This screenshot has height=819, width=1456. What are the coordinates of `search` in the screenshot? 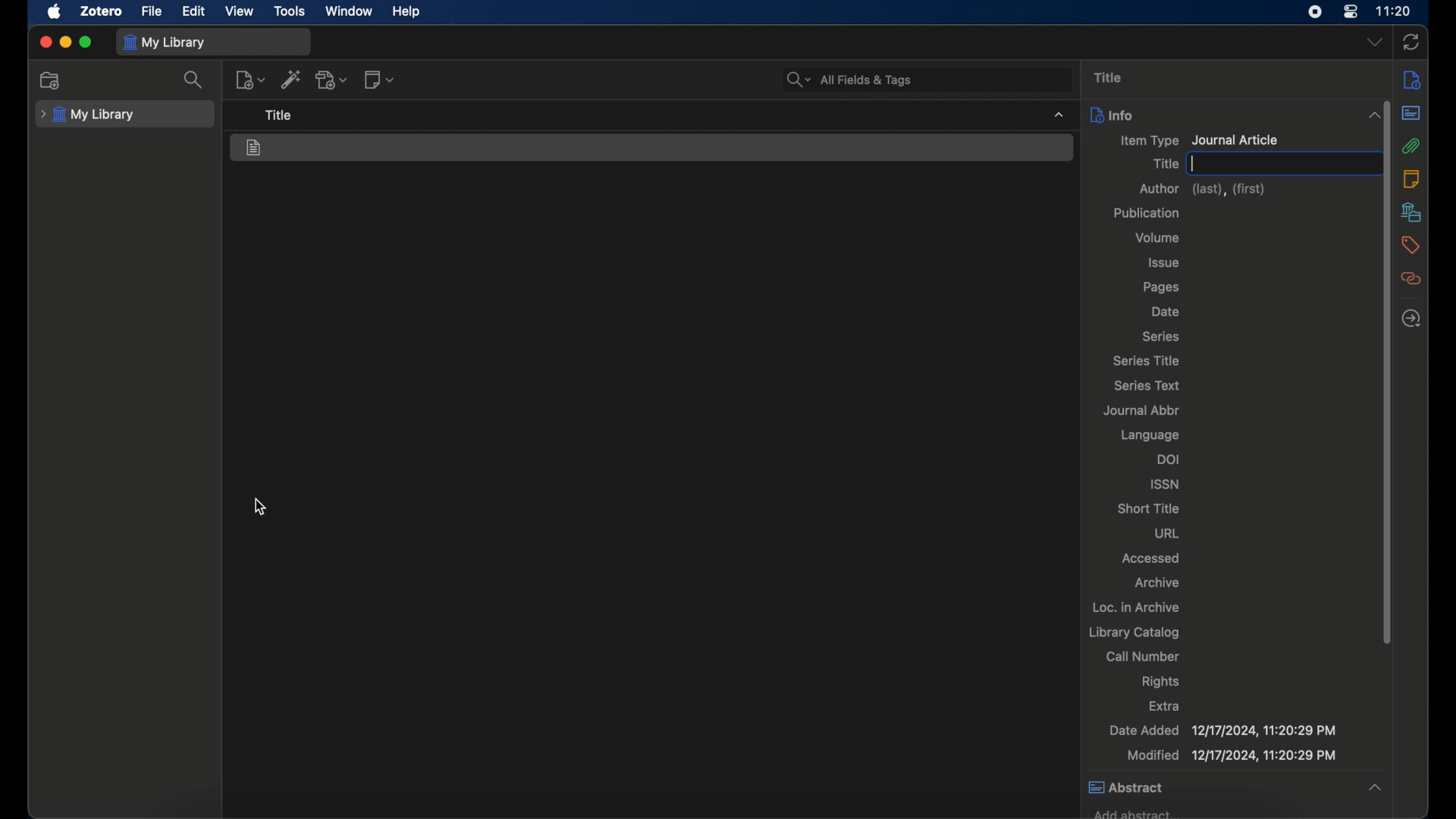 It's located at (193, 80).